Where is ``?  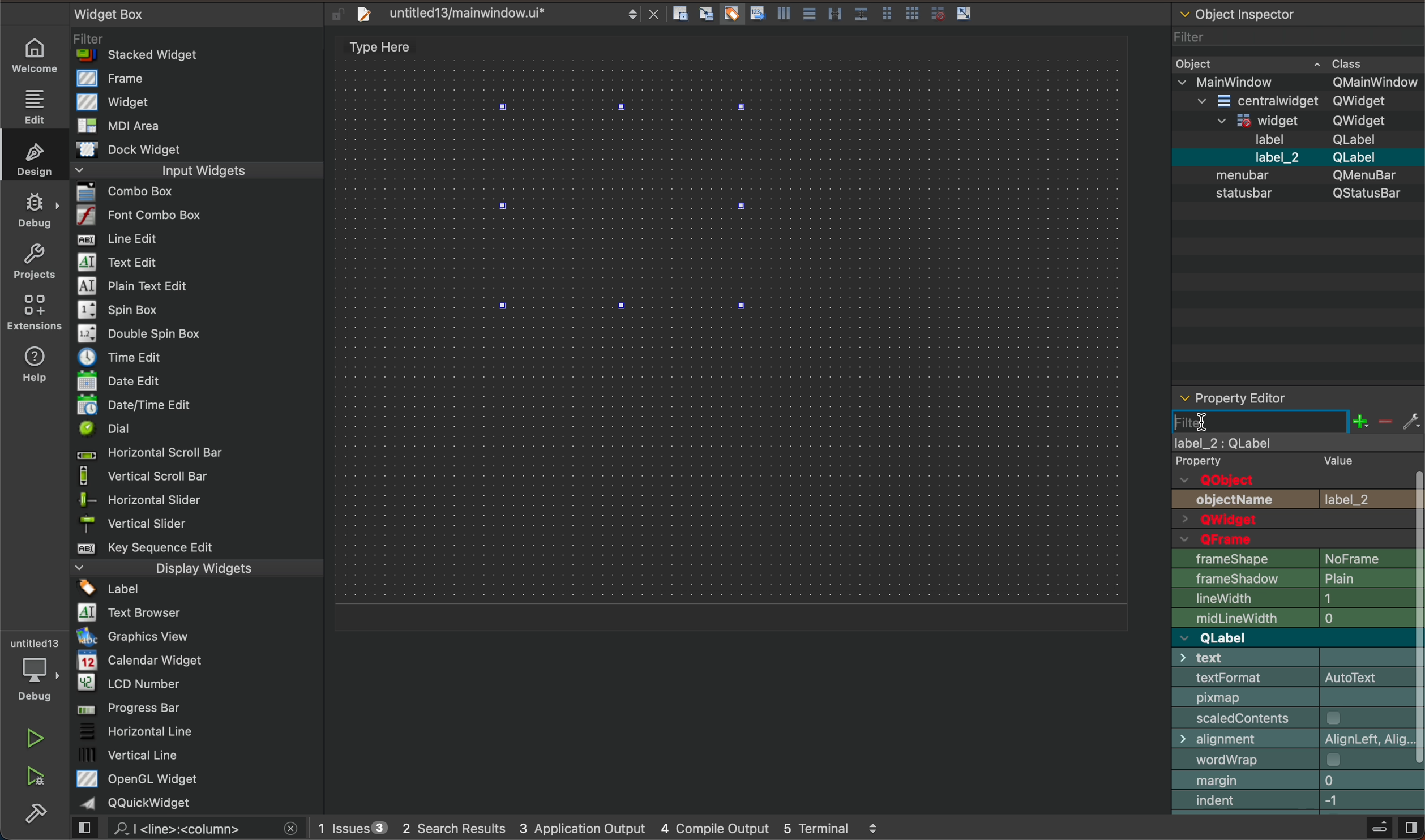  is located at coordinates (1299, 658).